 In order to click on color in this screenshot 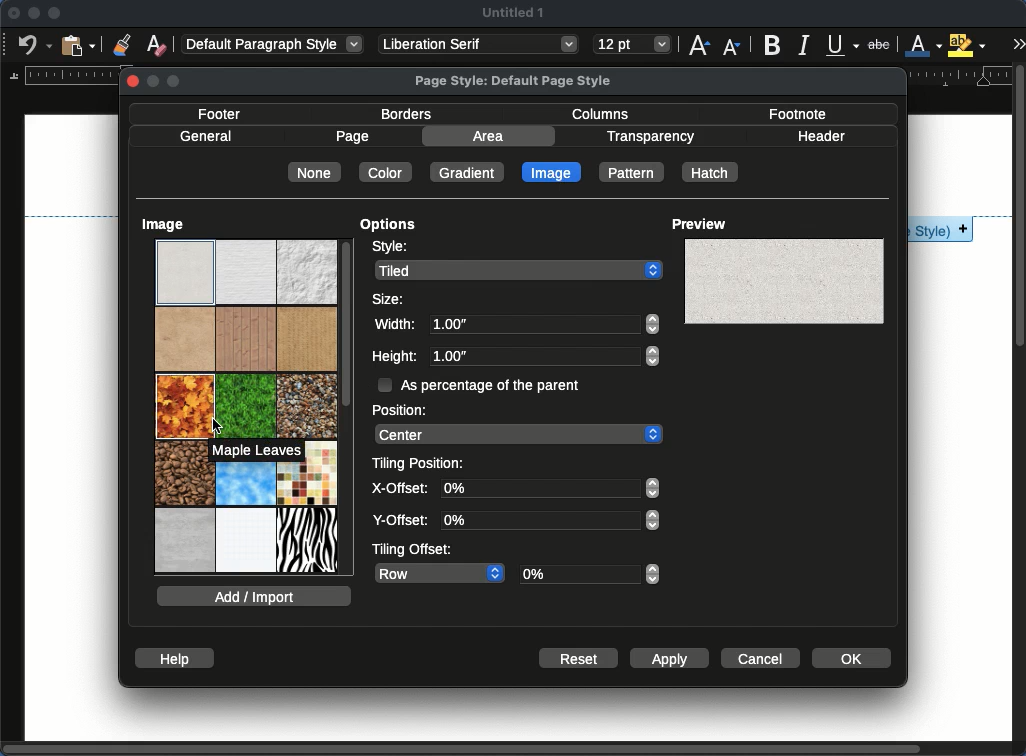, I will do `click(385, 171)`.